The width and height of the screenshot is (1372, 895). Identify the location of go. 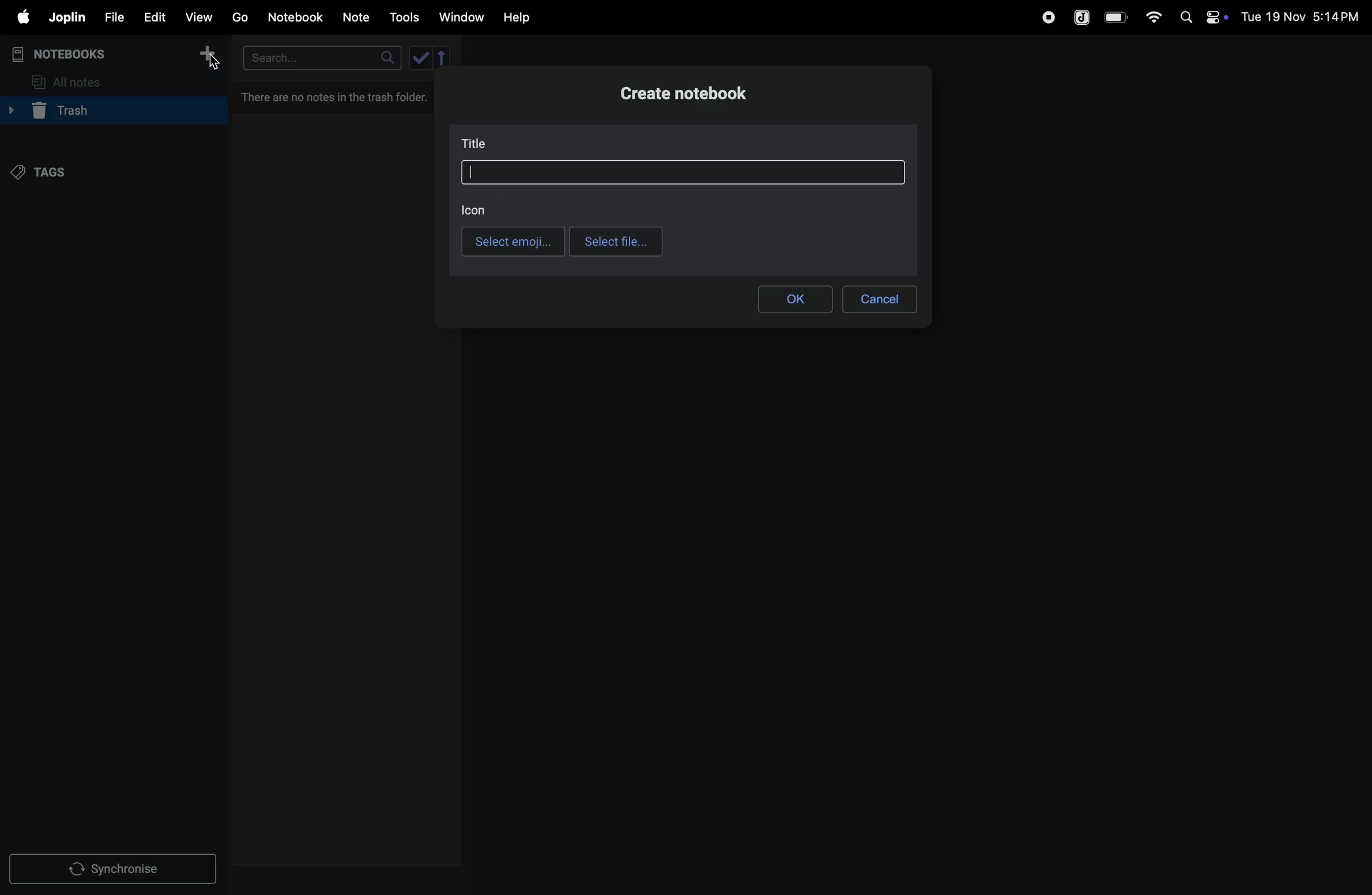
(240, 16).